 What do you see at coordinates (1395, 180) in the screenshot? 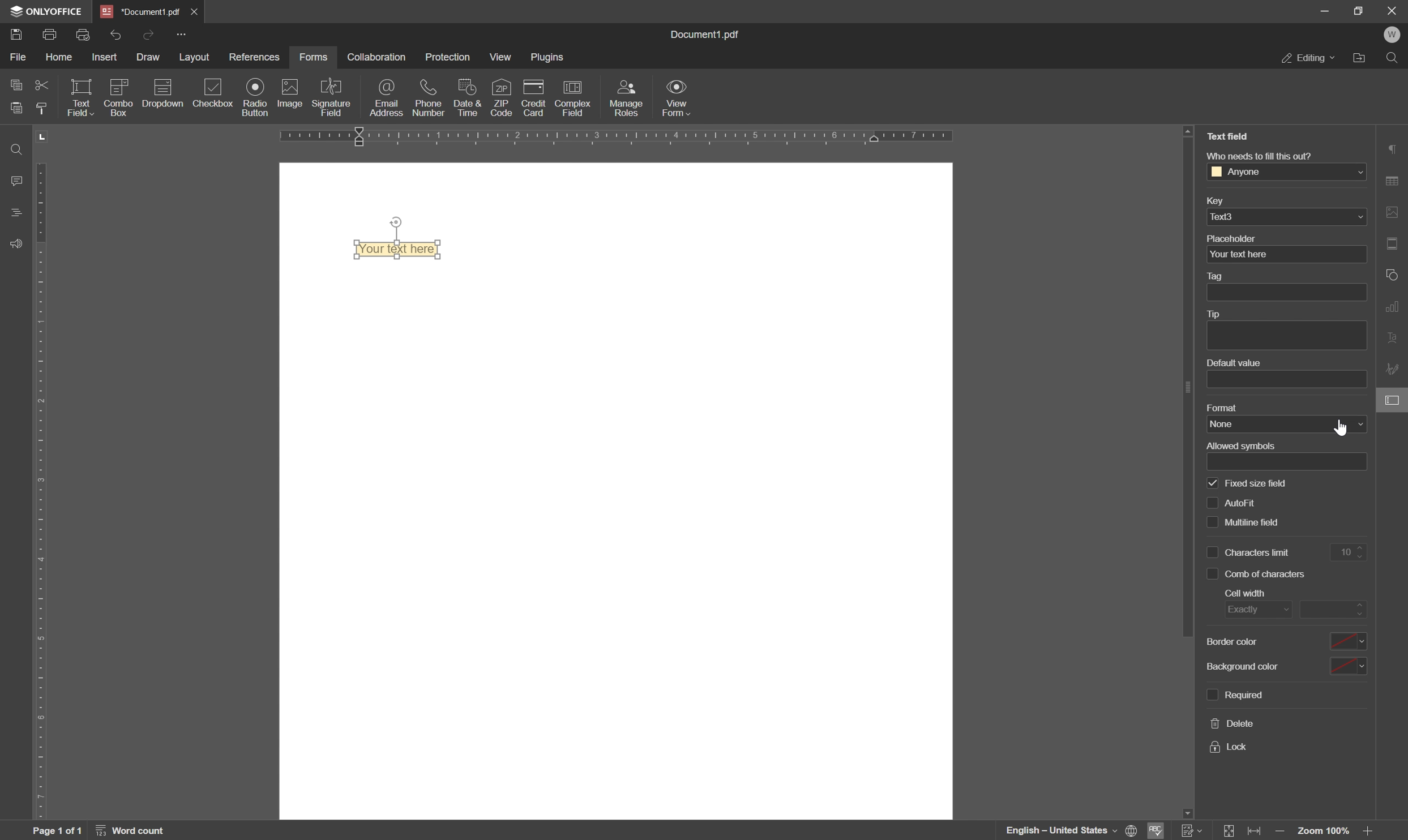
I see `table settings` at bounding box center [1395, 180].